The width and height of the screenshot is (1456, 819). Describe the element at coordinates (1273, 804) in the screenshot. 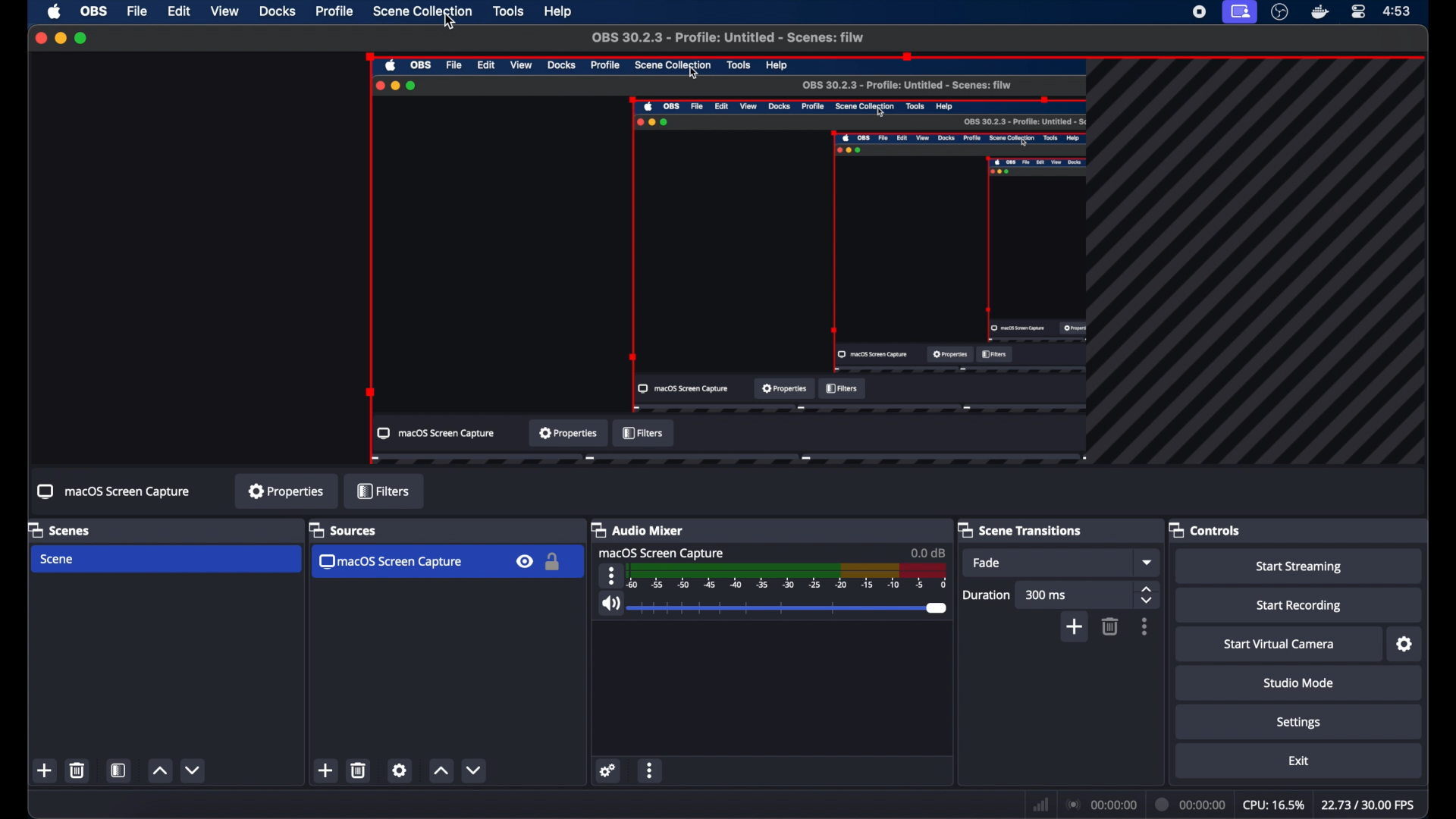

I see `cpu` at that location.